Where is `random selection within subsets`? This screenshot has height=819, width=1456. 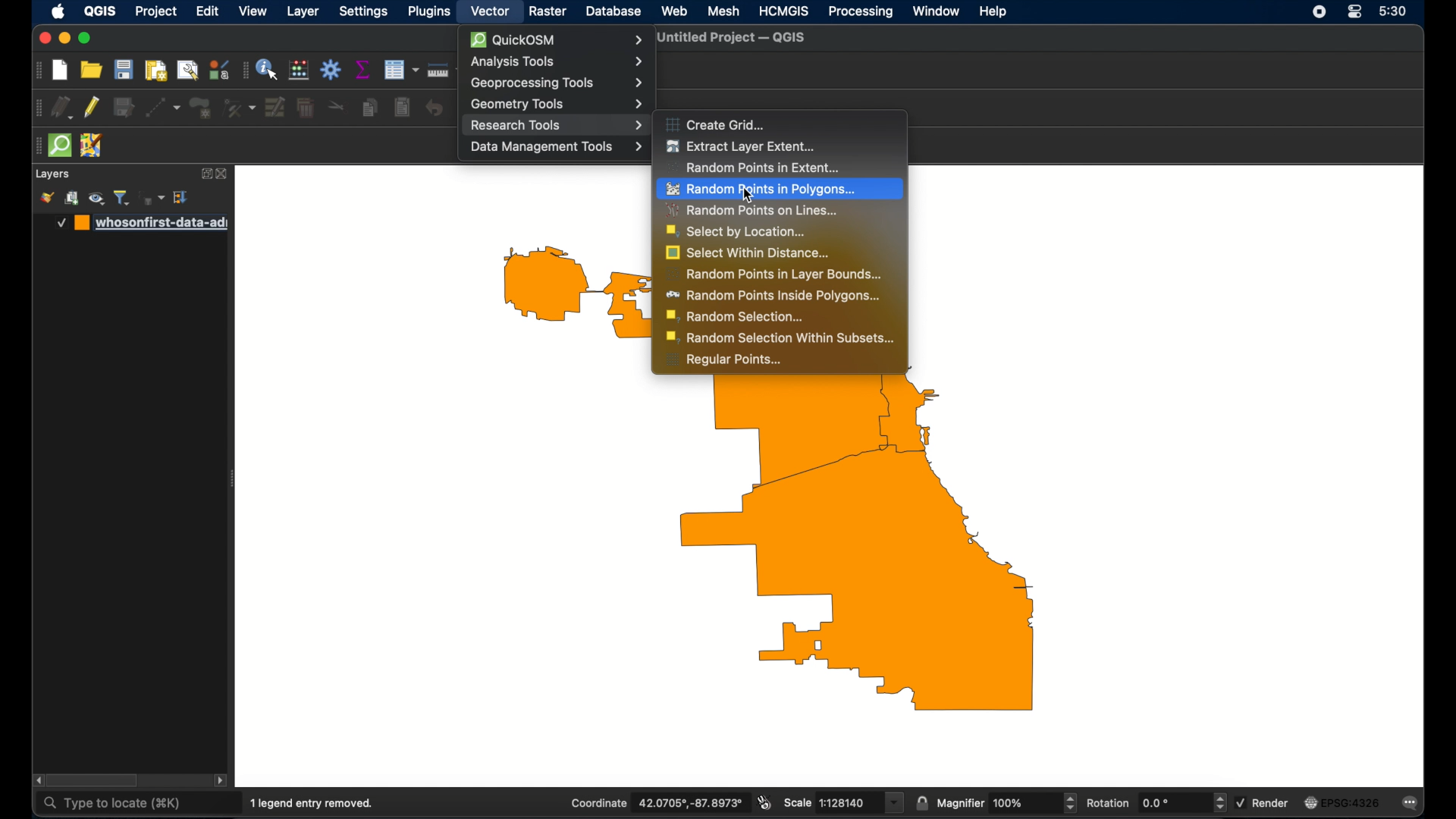 random selection within subsets is located at coordinates (782, 337).